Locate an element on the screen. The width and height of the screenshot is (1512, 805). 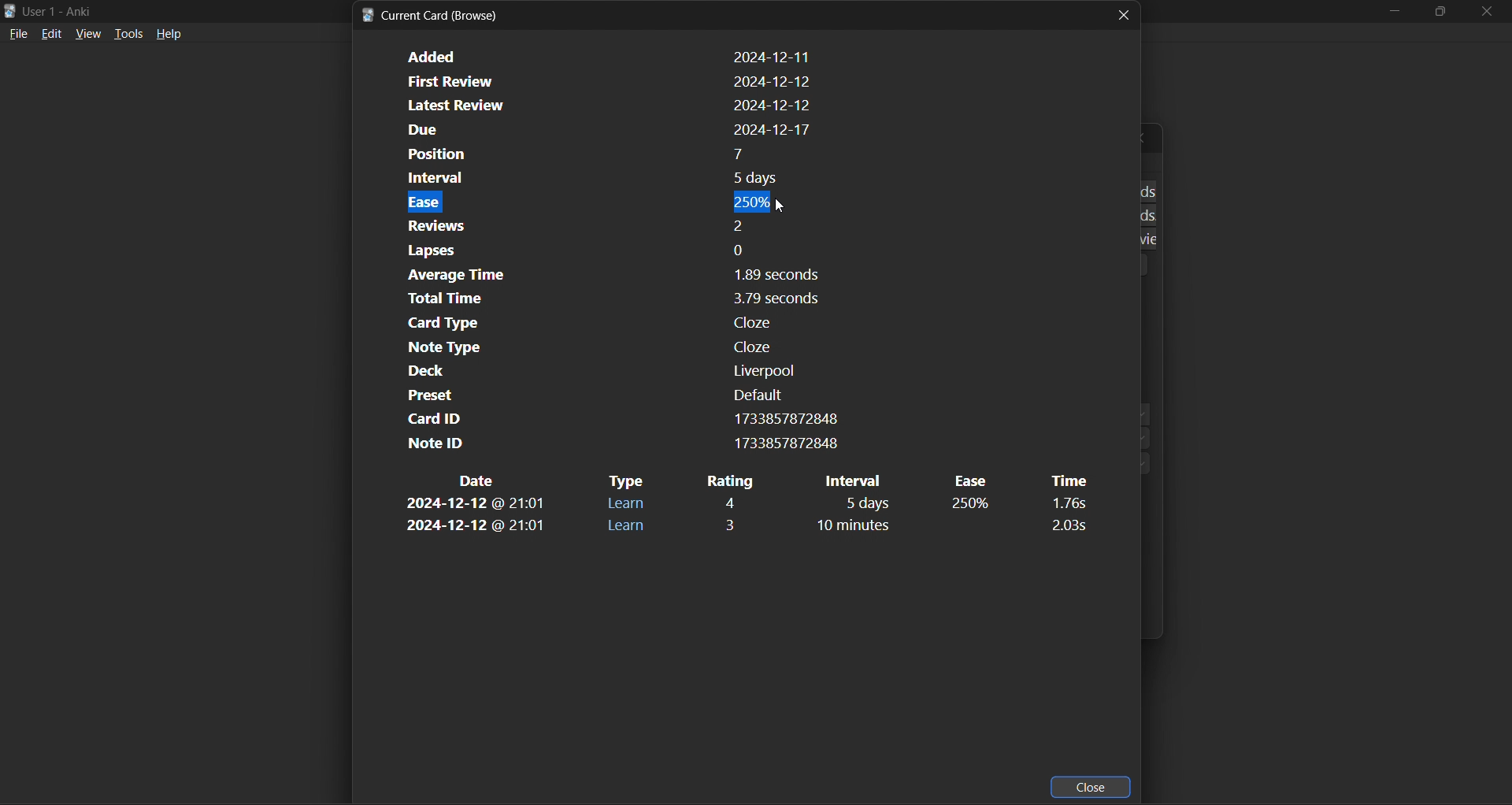
type is located at coordinates (626, 481).